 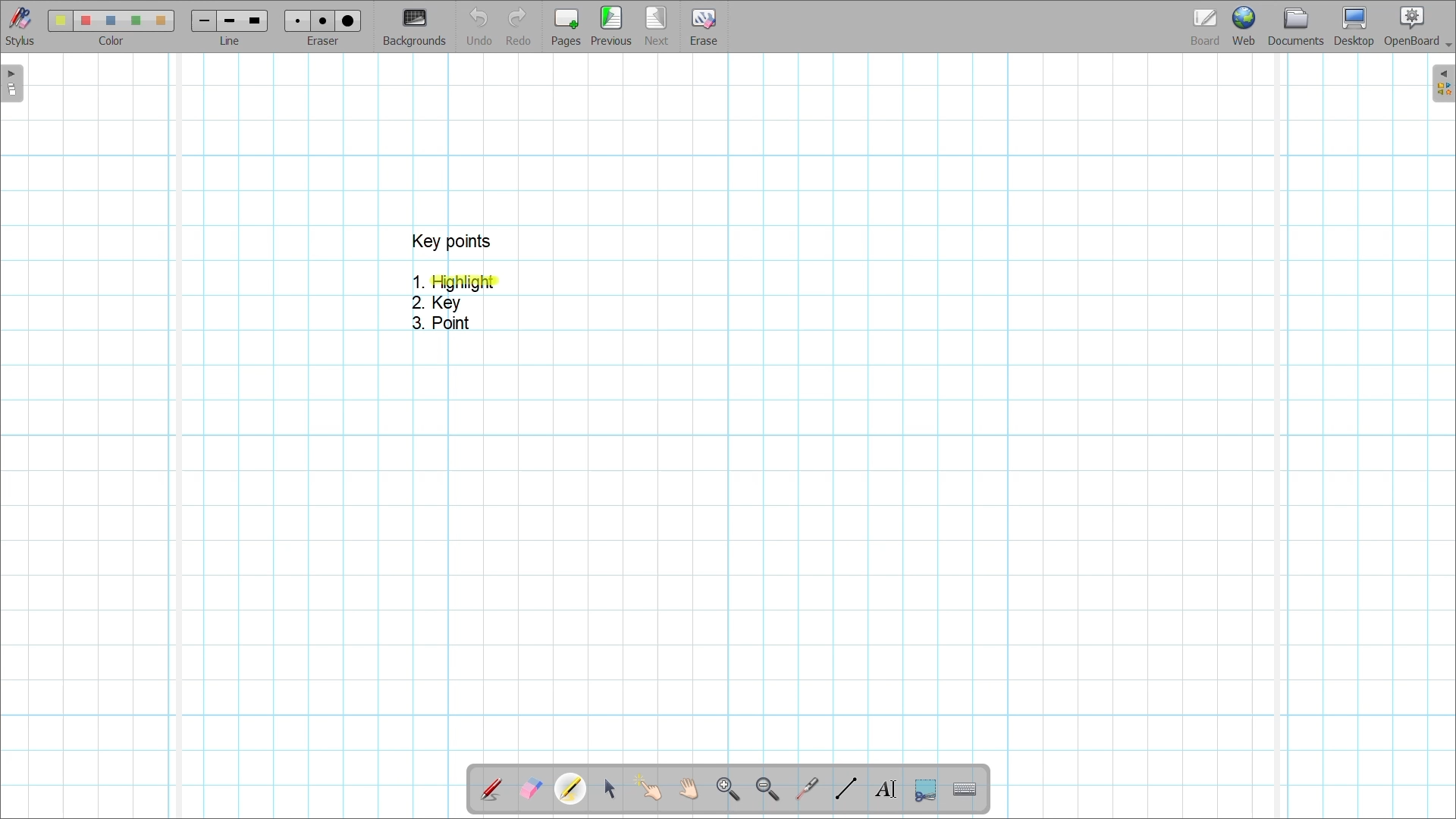 I want to click on line 2, so click(x=227, y=21).